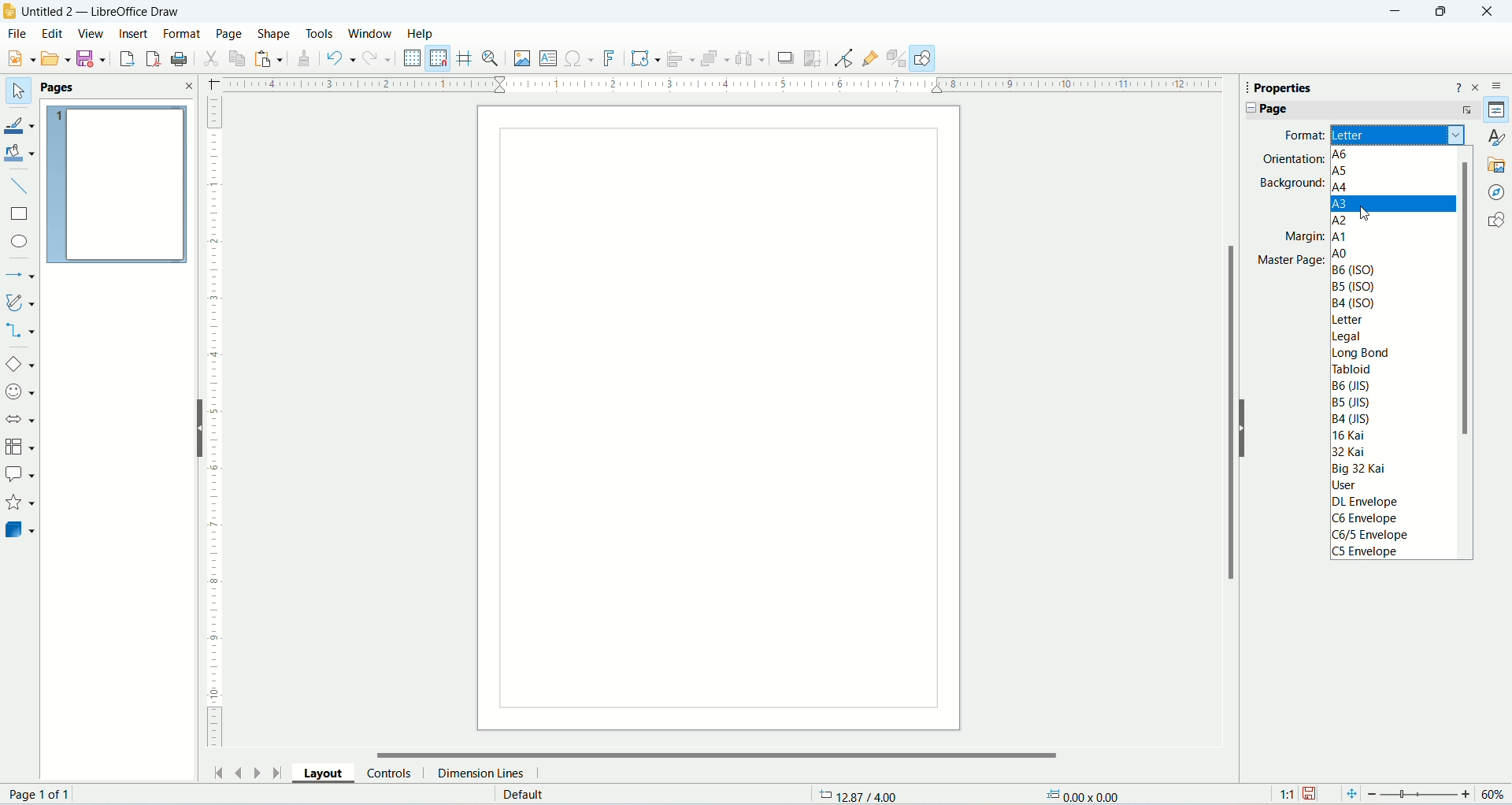 The width and height of the screenshot is (1512, 805). What do you see at coordinates (1369, 501) in the screenshot?
I see `DL` at bounding box center [1369, 501].